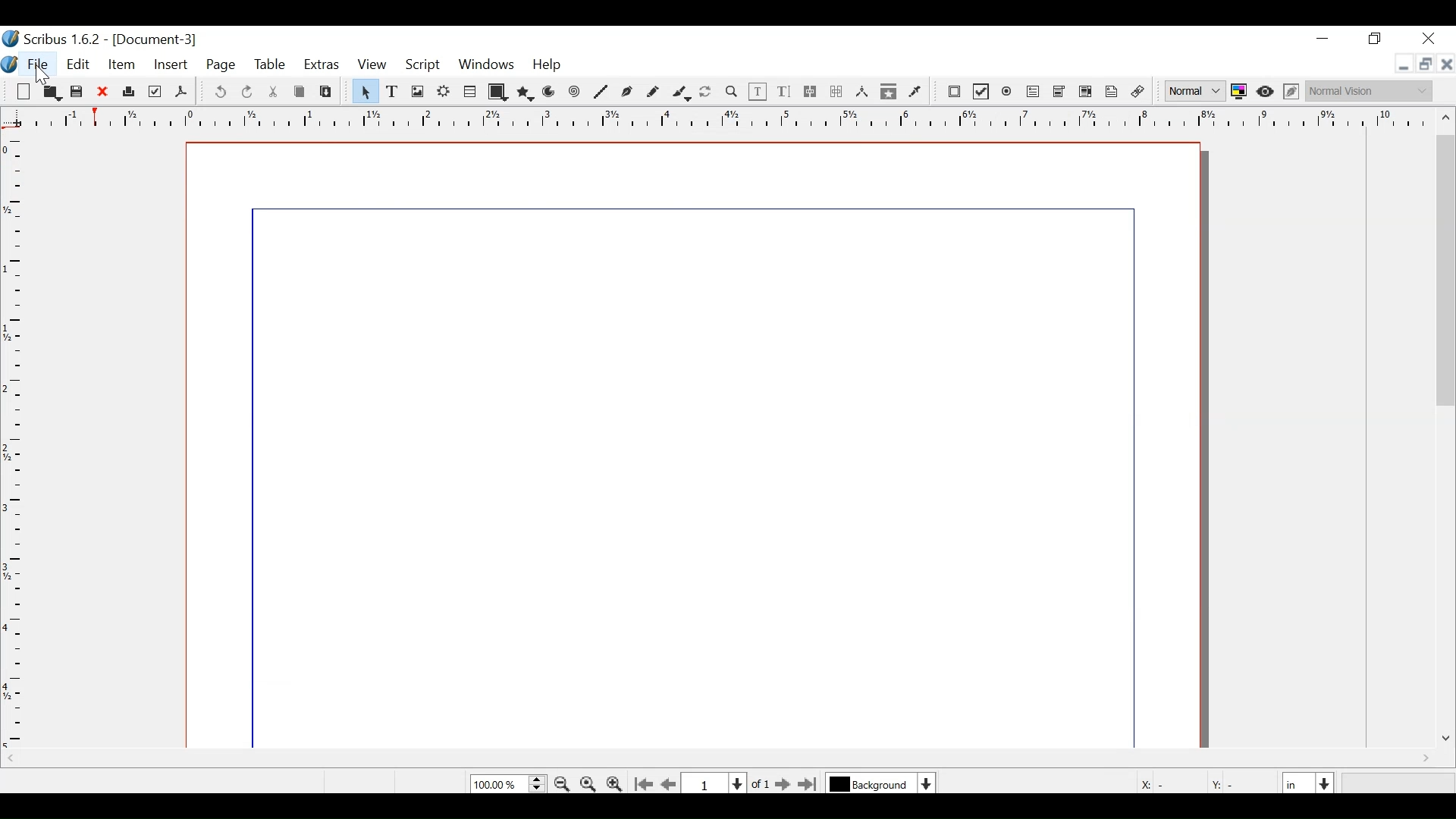 This screenshot has width=1456, height=819. What do you see at coordinates (758, 92) in the screenshot?
I see `Edit contents of frame ` at bounding box center [758, 92].